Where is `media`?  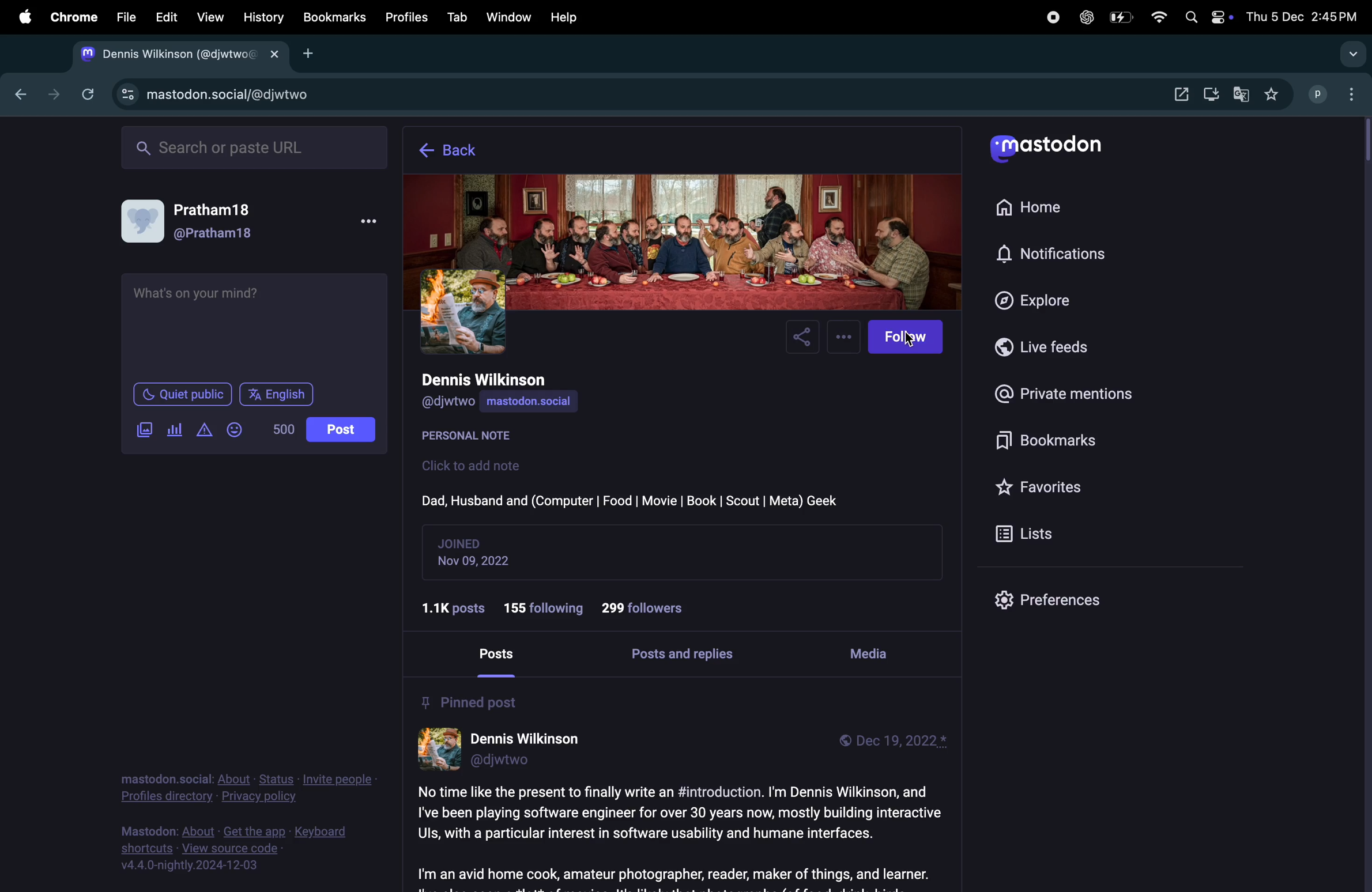 media is located at coordinates (872, 651).